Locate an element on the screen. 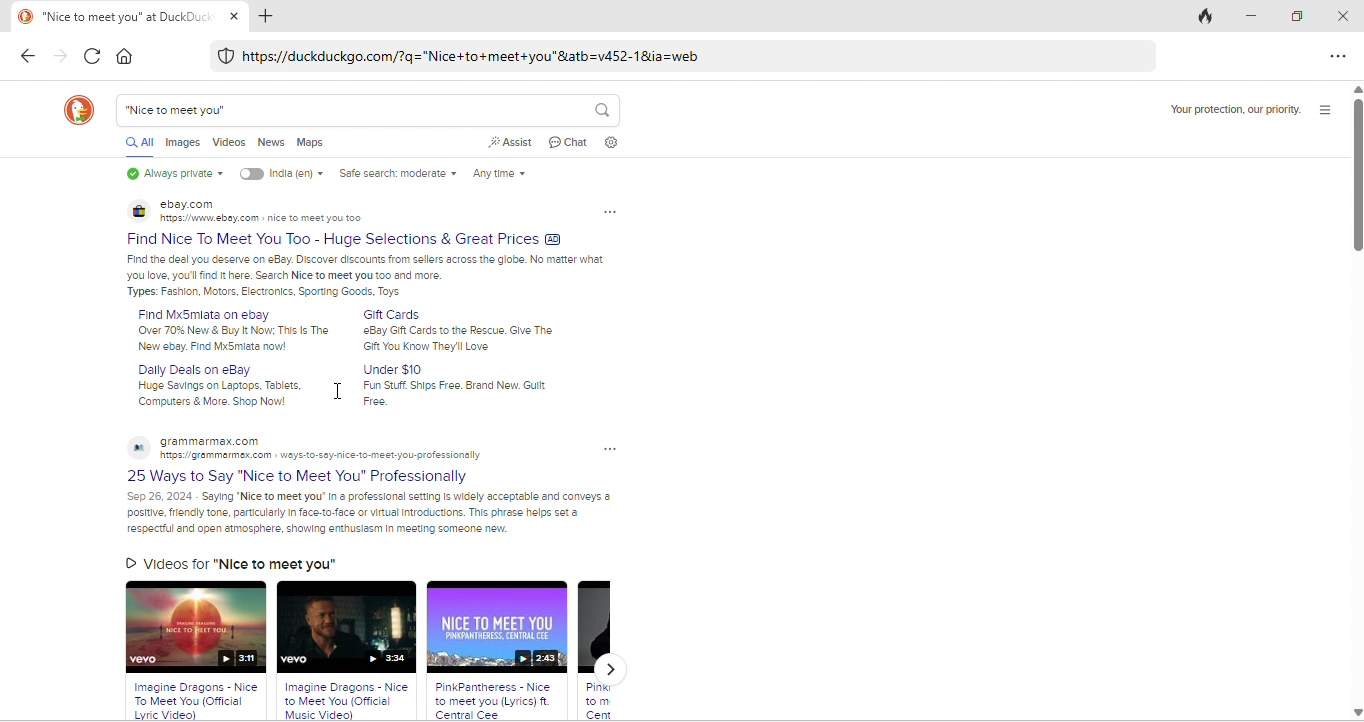 This screenshot has width=1364, height=722. imagine Dragons - Nice
To Meet You (Oficial
Lurie Vidaod is located at coordinates (197, 701).